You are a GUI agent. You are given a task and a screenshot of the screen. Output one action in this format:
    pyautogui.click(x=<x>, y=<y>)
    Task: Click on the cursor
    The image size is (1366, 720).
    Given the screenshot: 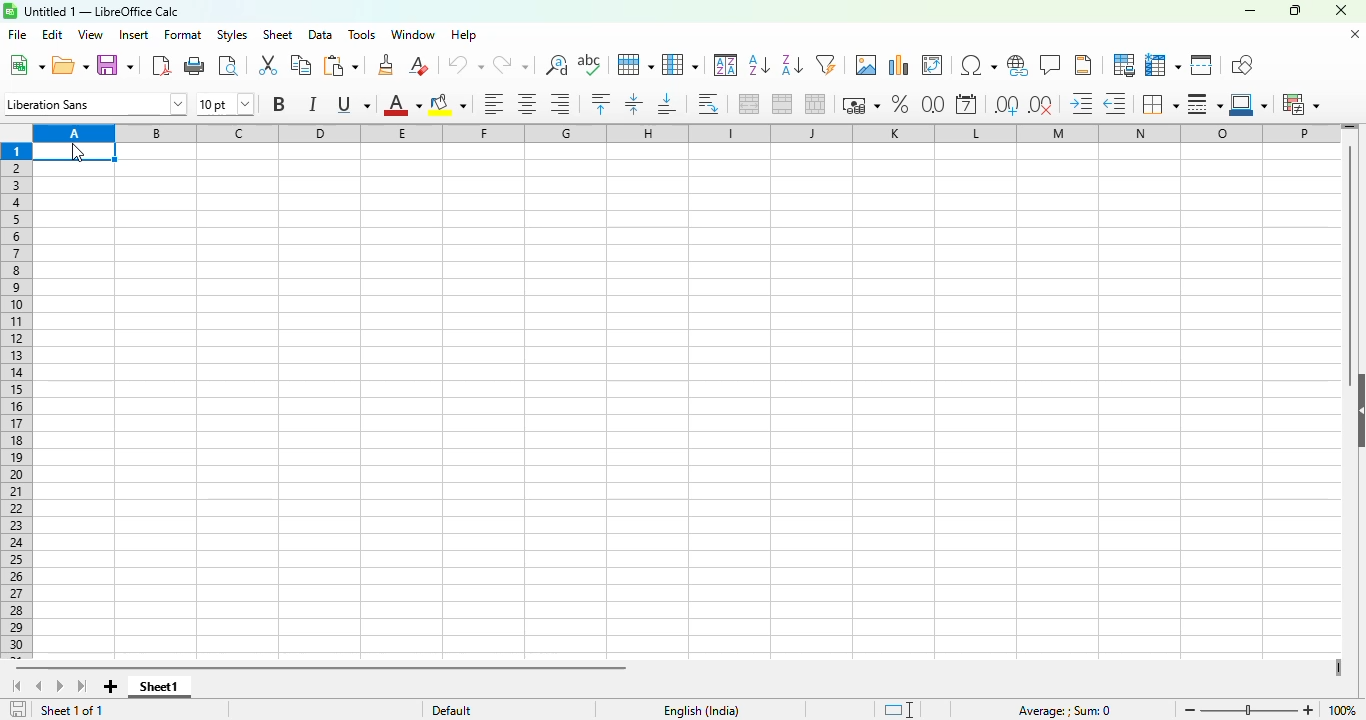 What is the action you would take?
    pyautogui.click(x=79, y=153)
    